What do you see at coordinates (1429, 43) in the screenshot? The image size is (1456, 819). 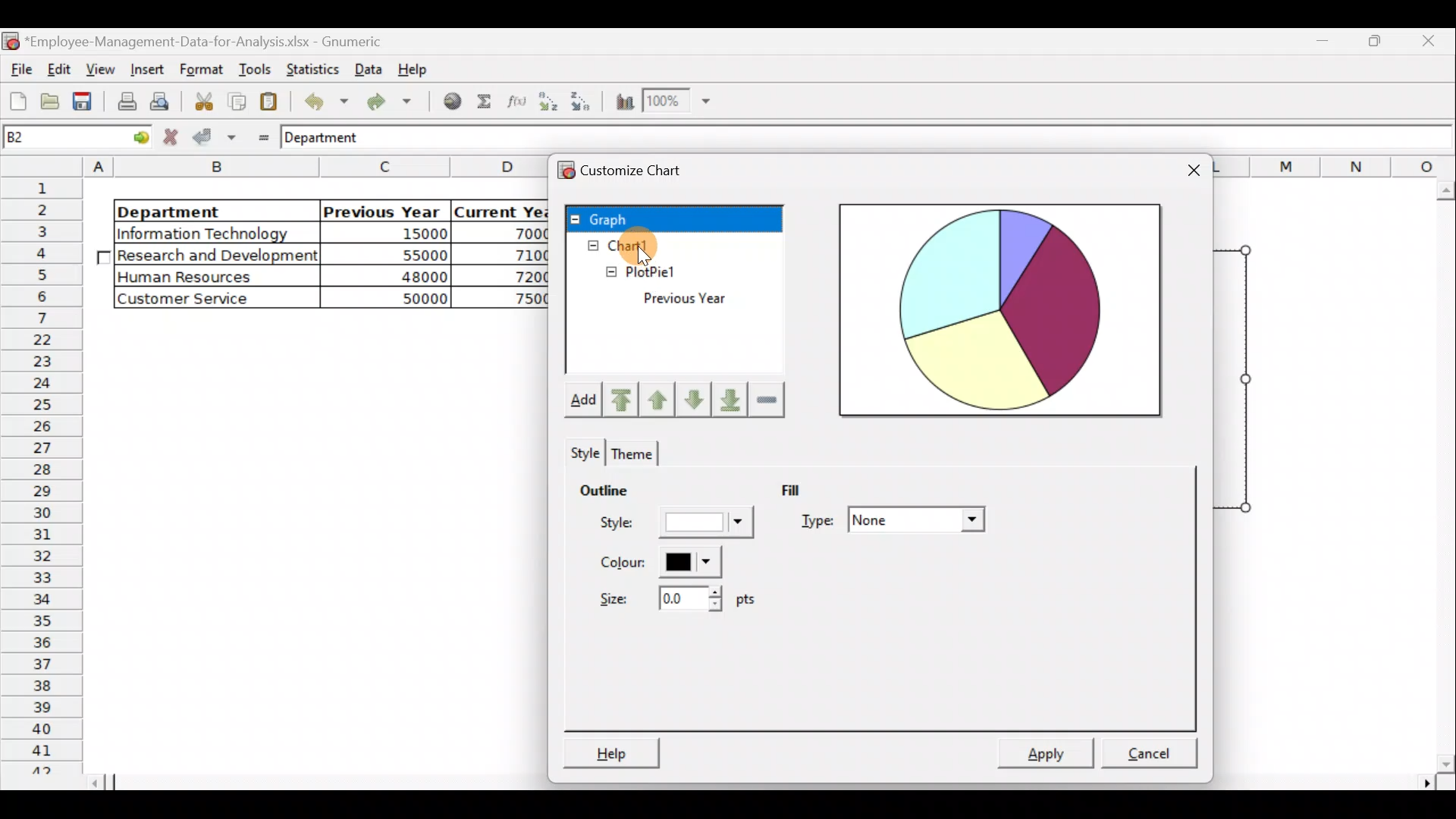 I see `Close` at bounding box center [1429, 43].